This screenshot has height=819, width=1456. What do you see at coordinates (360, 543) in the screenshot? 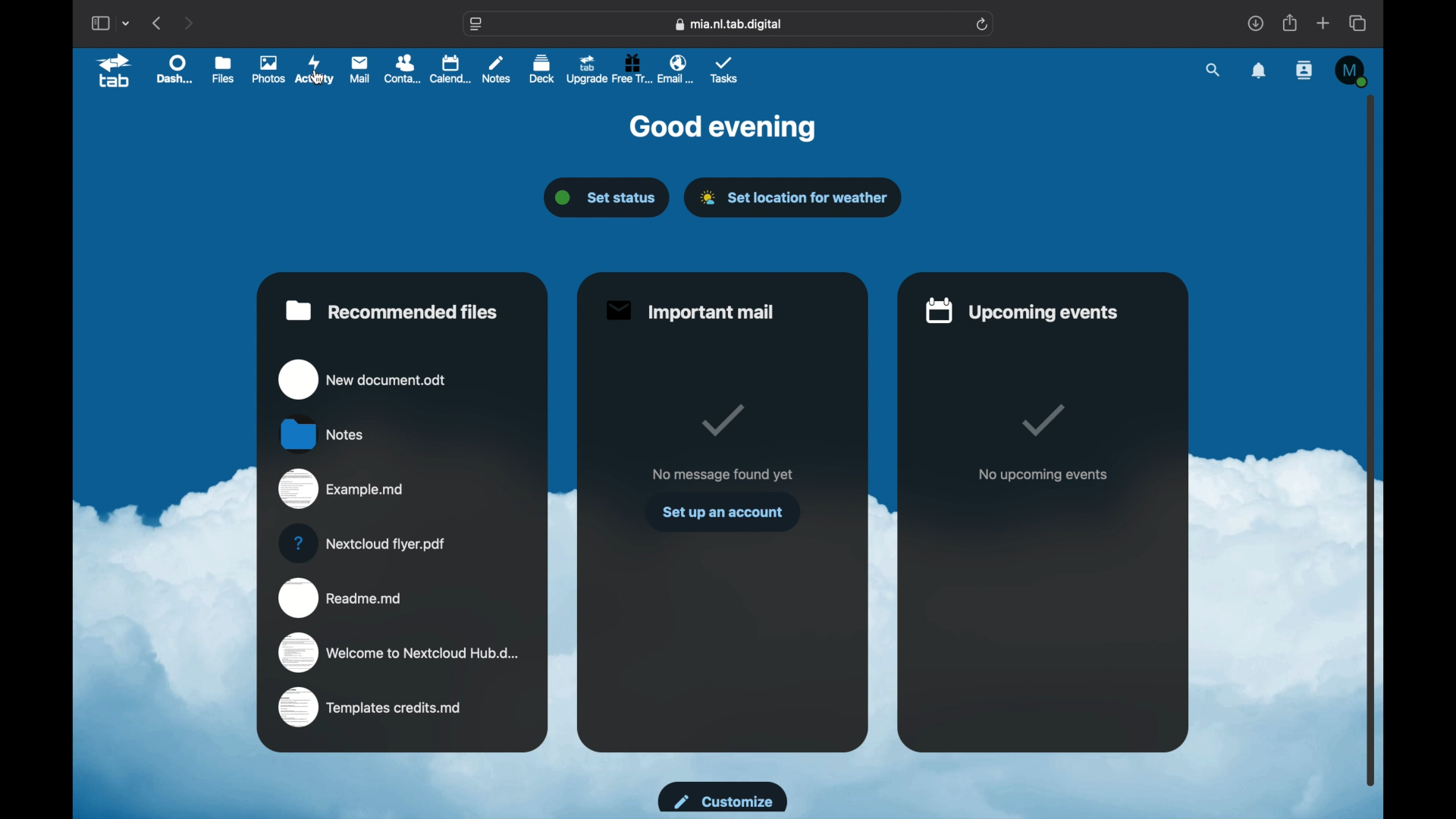
I see `nextcloud` at bounding box center [360, 543].